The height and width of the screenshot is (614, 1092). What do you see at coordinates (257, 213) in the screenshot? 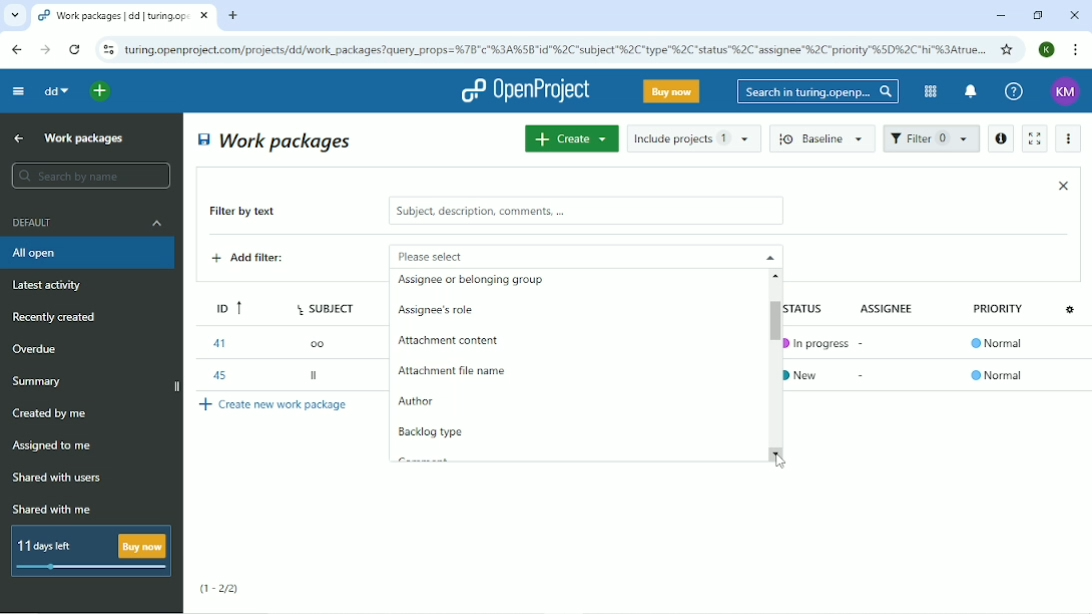
I see `Filter by text` at bounding box center [257, 213].